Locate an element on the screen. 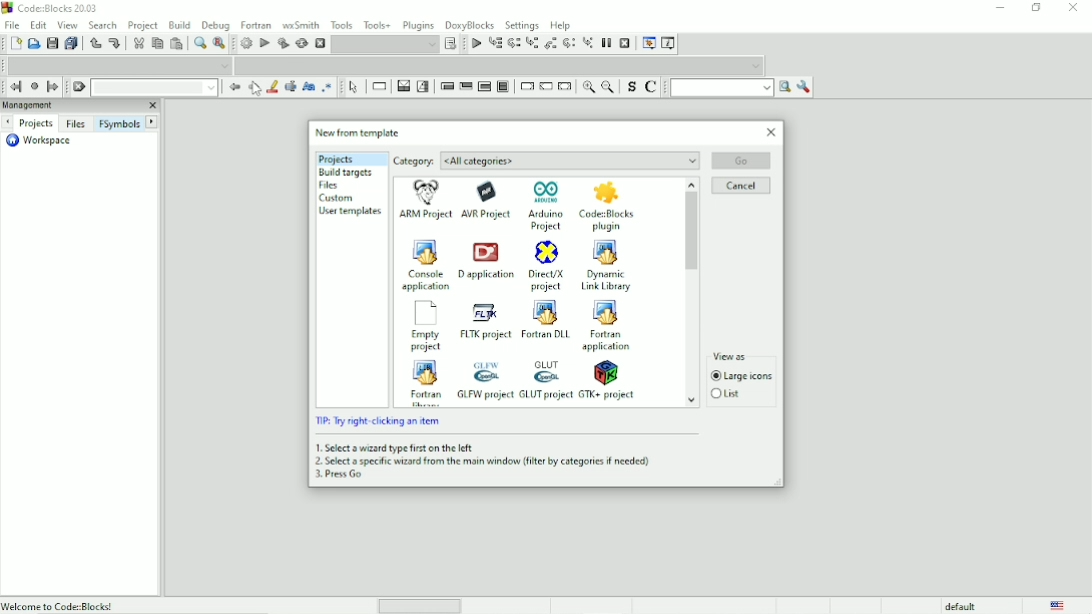 The width and height of the screenshot is (1092, 614). Open is located at coordinates (33, 44).